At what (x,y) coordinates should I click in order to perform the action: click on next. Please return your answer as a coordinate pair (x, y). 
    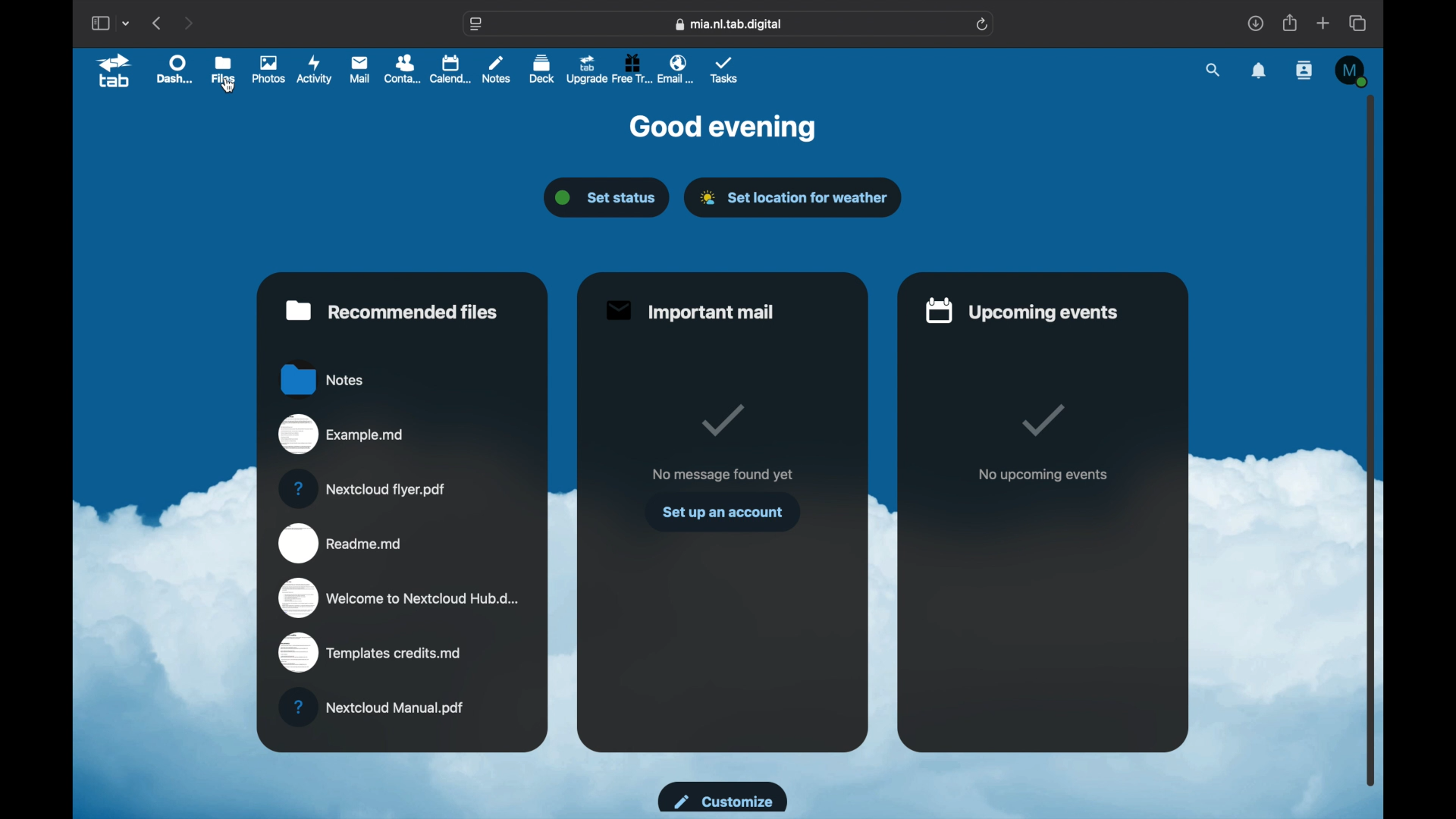
    Looking at the image, I should click on (188, 23).